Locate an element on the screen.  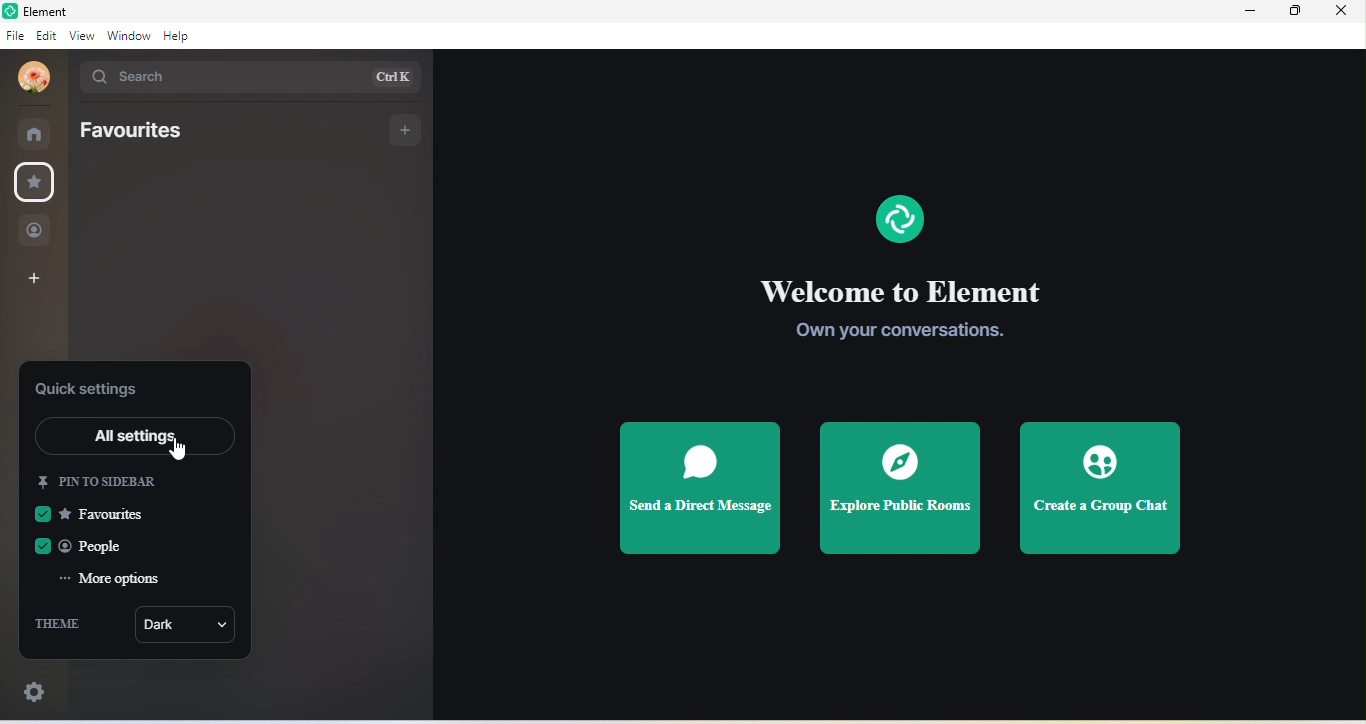
help is located at coordinates (178, 36).